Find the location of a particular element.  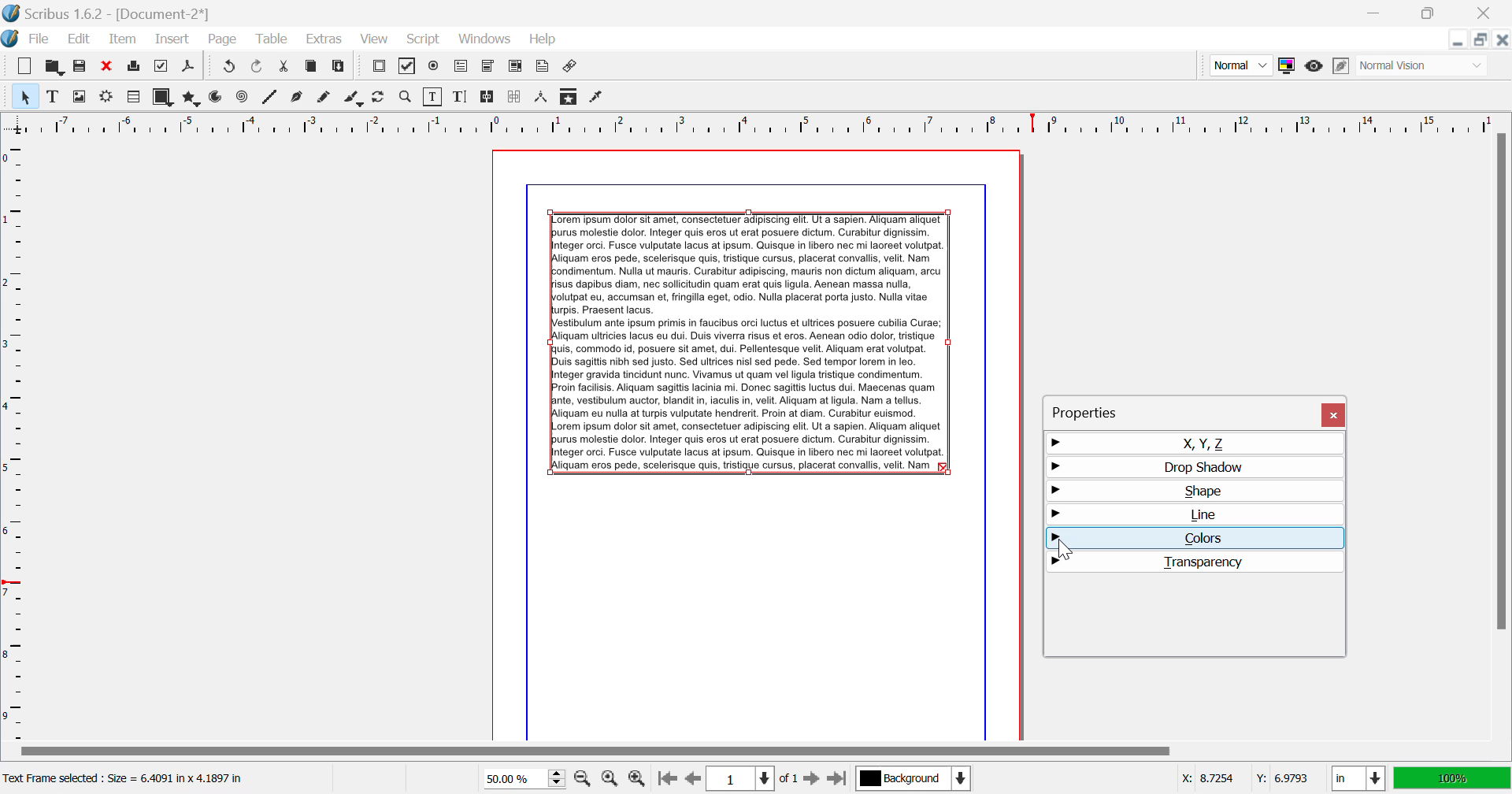

Extras is located at coordinates (322, 39).